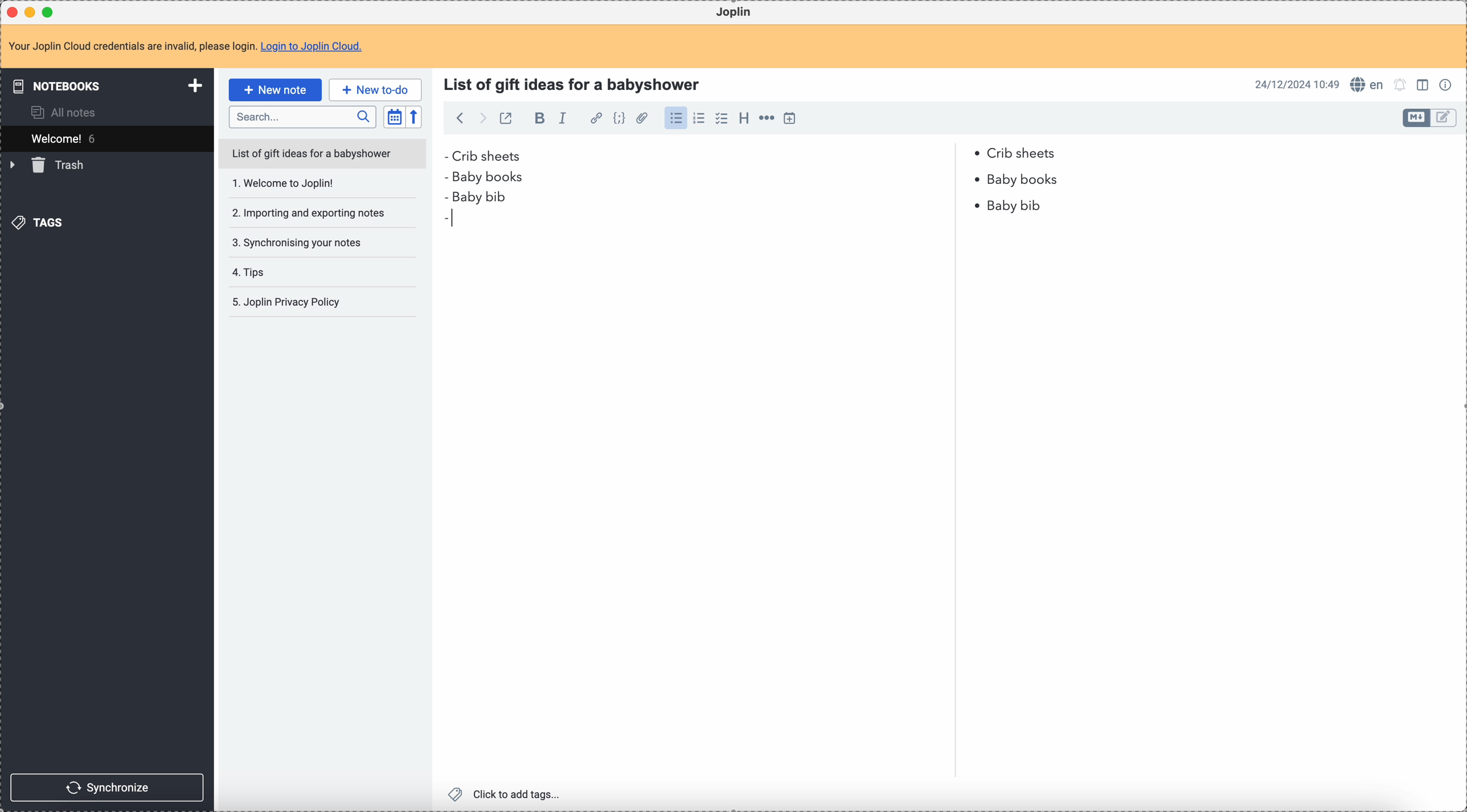 This screenshot has width=1467, height=812. Describe the element at coordinates (744, 121) in the screenshot. I see `heading` at that location.